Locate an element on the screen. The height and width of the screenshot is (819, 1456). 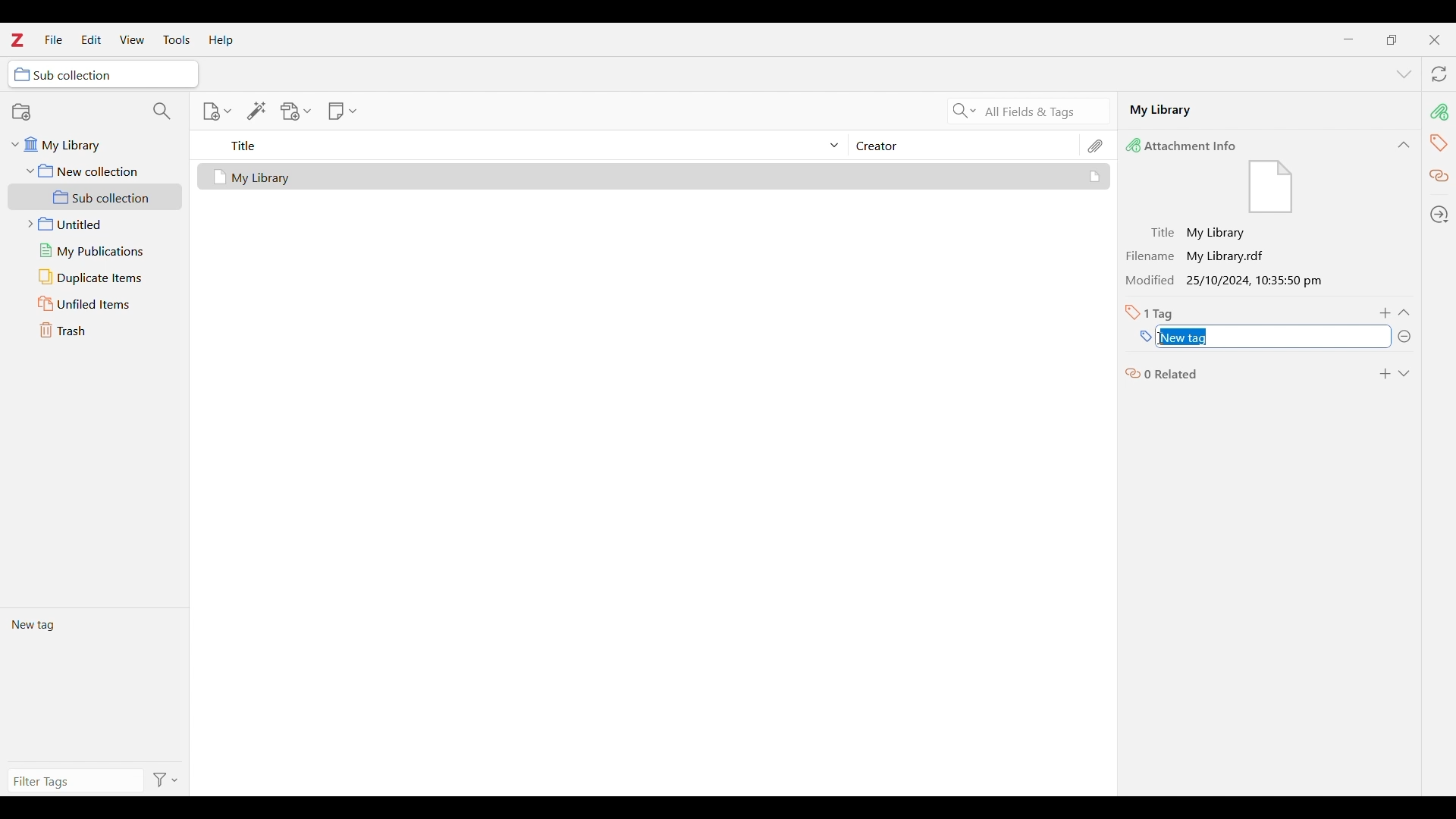
Sync with zotero.org is located at coordinates (1439, 74).